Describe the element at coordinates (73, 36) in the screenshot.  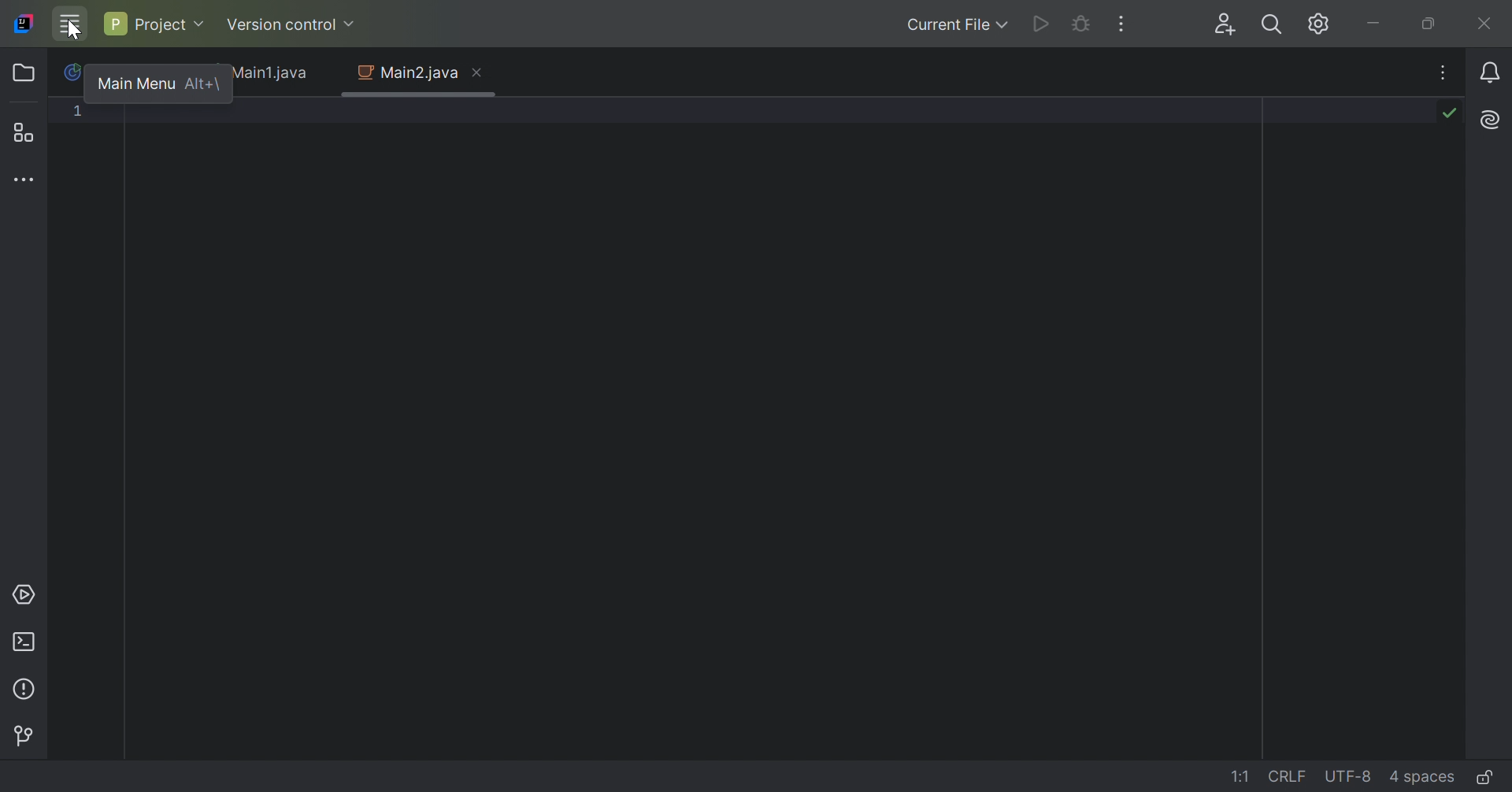
I see `cursor` at that location.